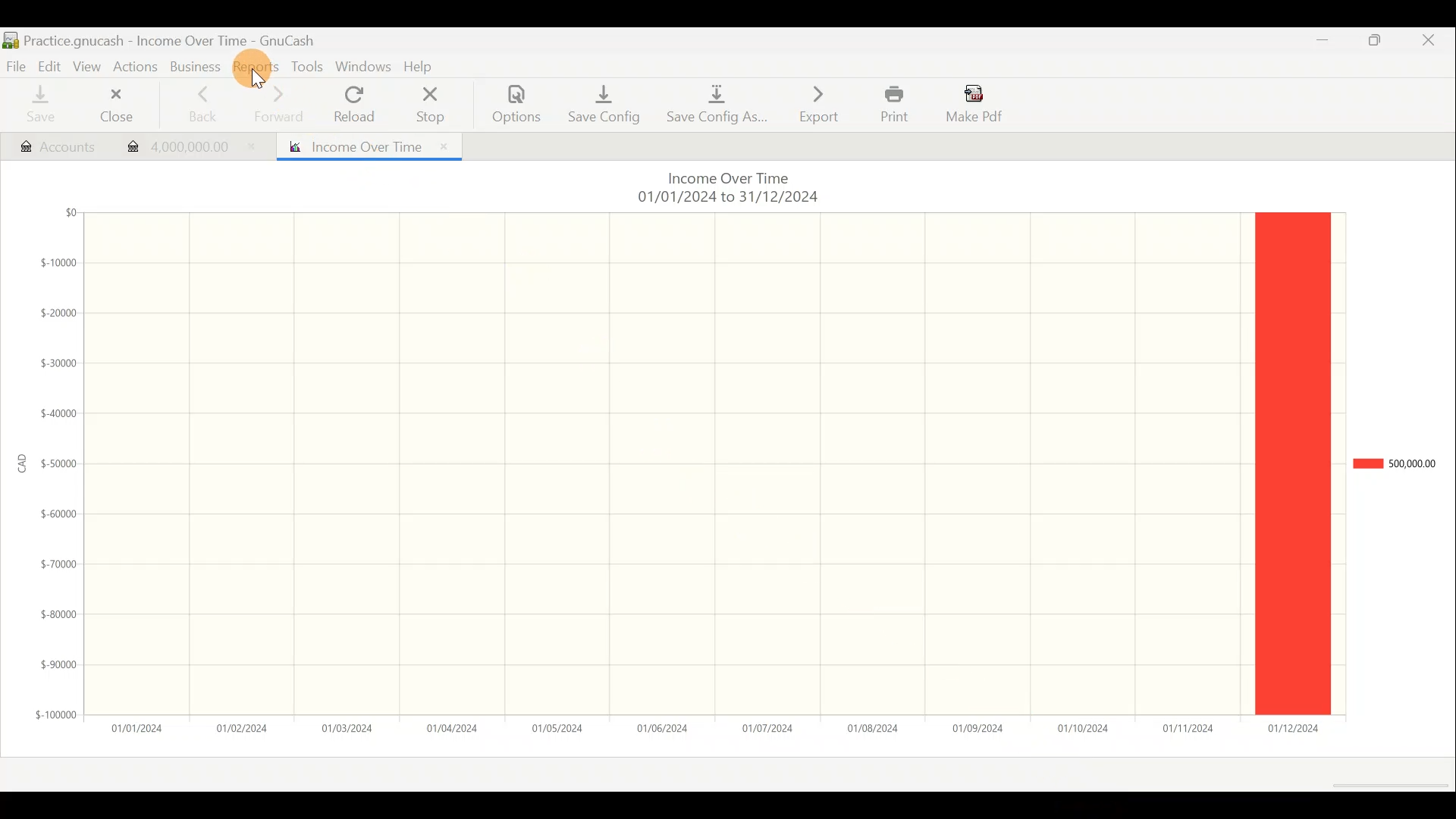 The height and width of the screenshot is (819, 1456). I want to click on View, so click(89, 67).